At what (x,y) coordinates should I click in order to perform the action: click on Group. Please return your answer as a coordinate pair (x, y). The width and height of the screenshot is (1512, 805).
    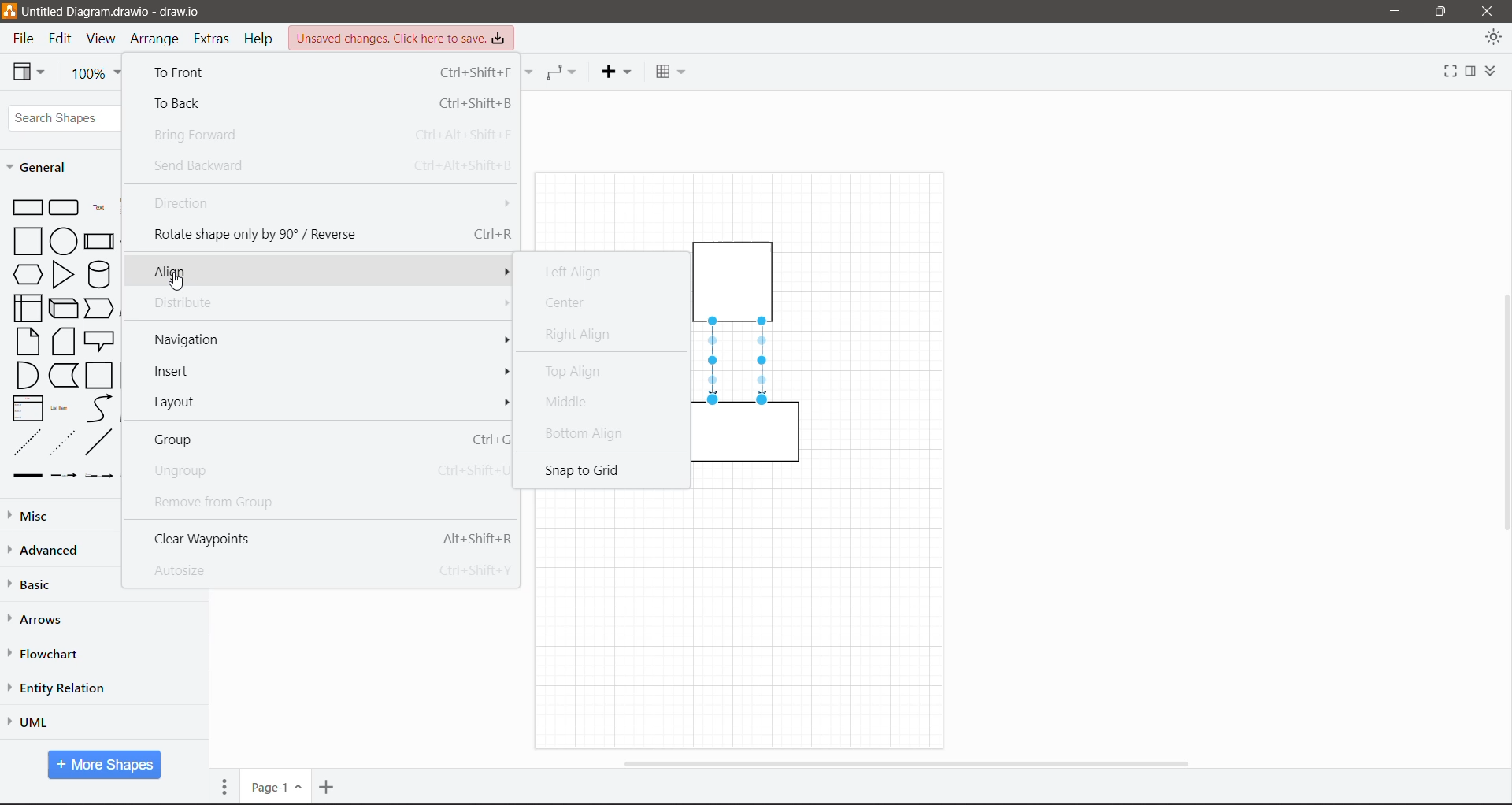
    Looking at the image, I should click on (328, 440).